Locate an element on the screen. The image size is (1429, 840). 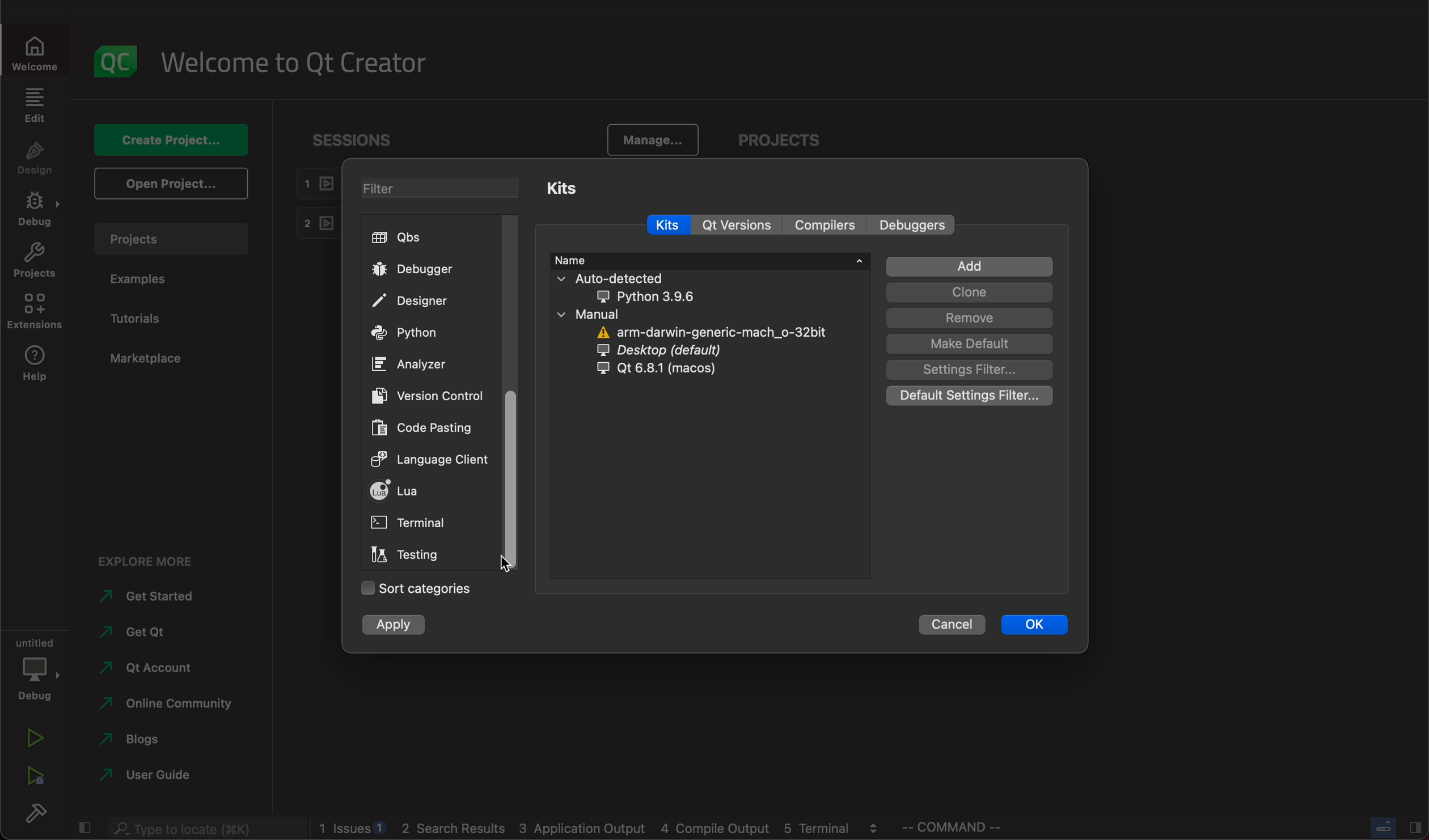
debug is located at coordinates (37, 668).